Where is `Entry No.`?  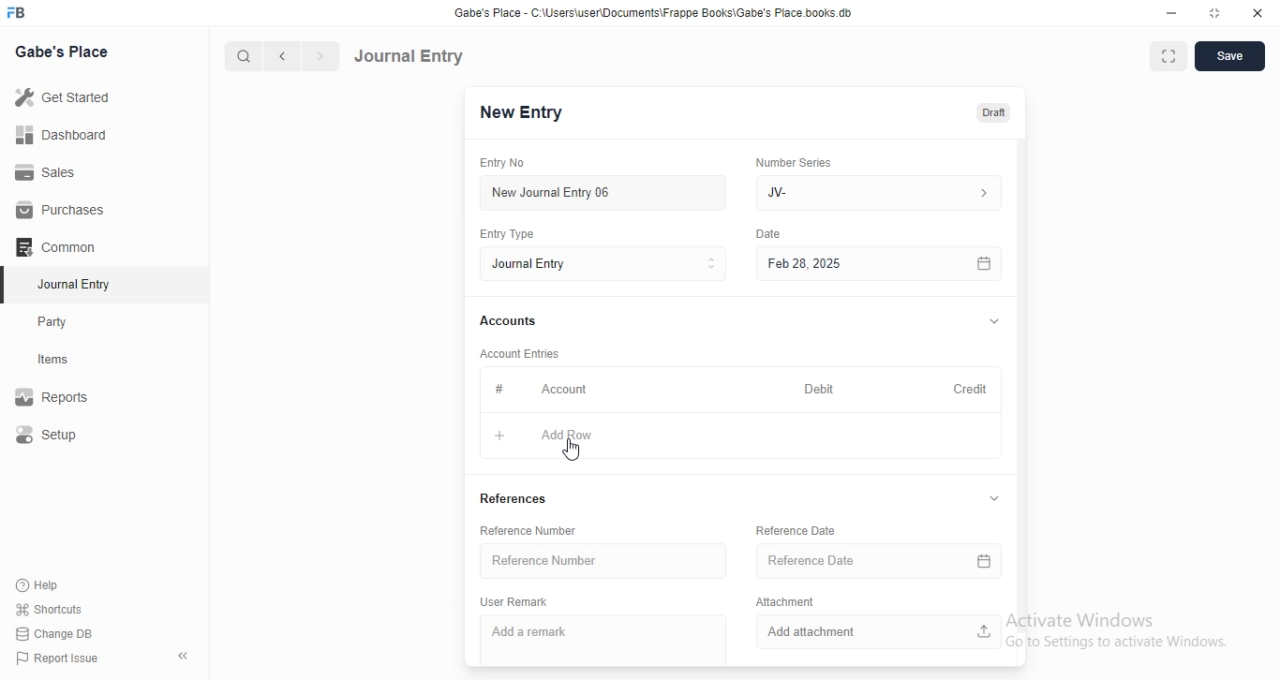
Entry No. is located at coordinates (508, 163).